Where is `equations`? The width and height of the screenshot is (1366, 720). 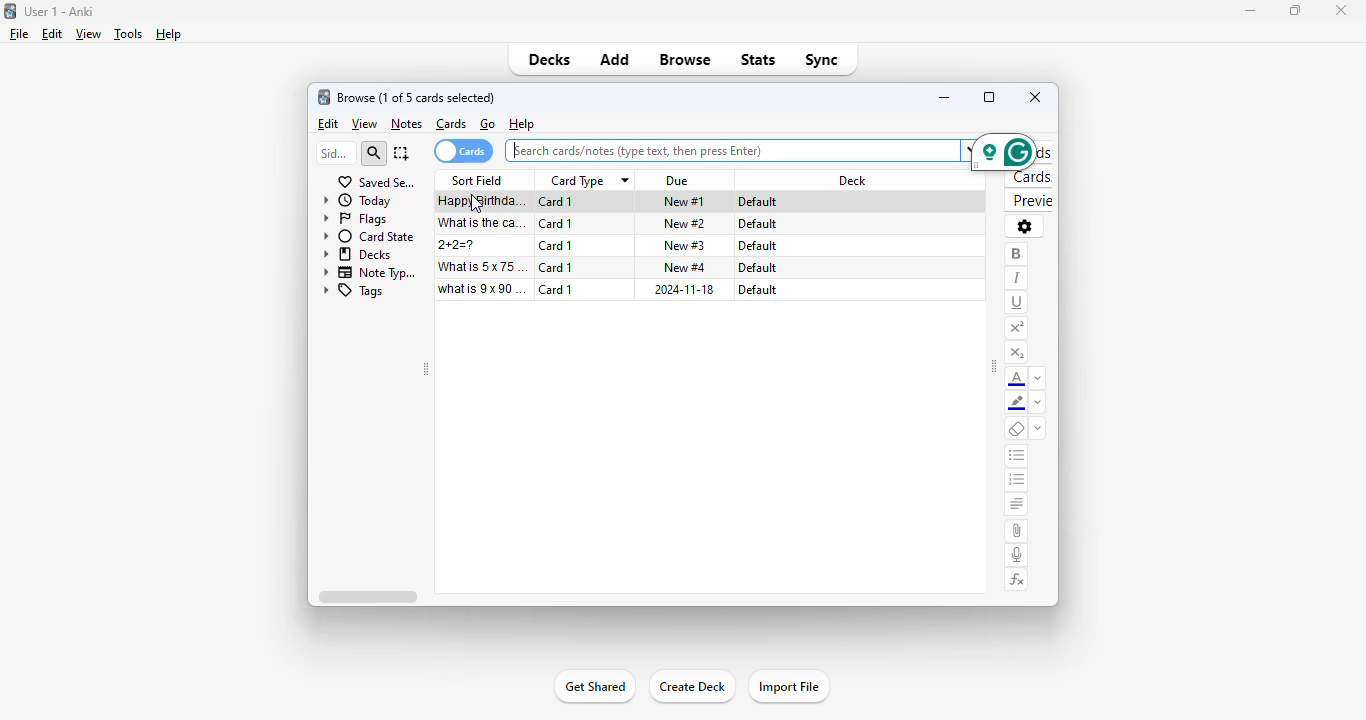
equations is located at coordinates (1018, 580).